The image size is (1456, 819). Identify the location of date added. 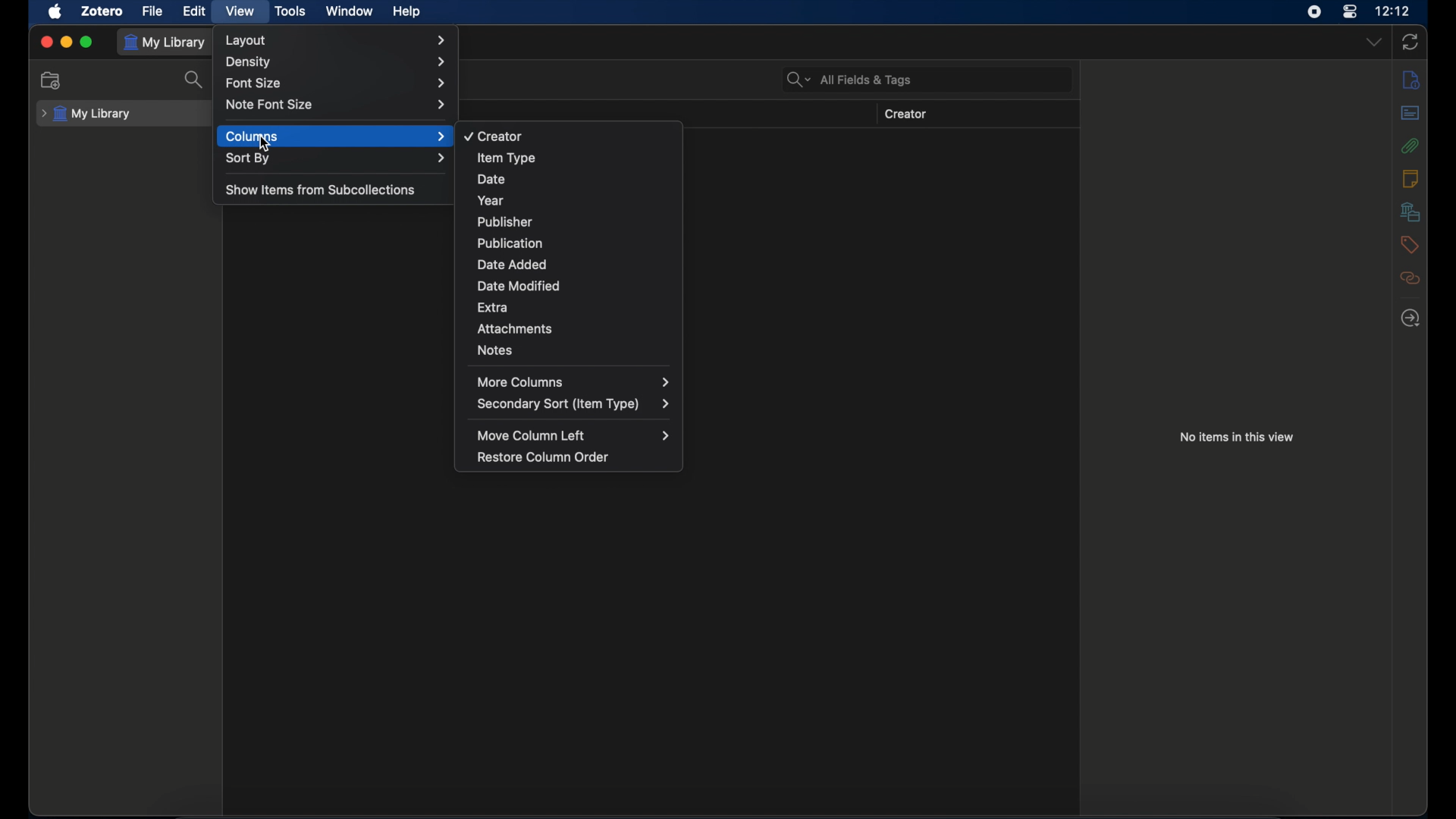
(513, 265).